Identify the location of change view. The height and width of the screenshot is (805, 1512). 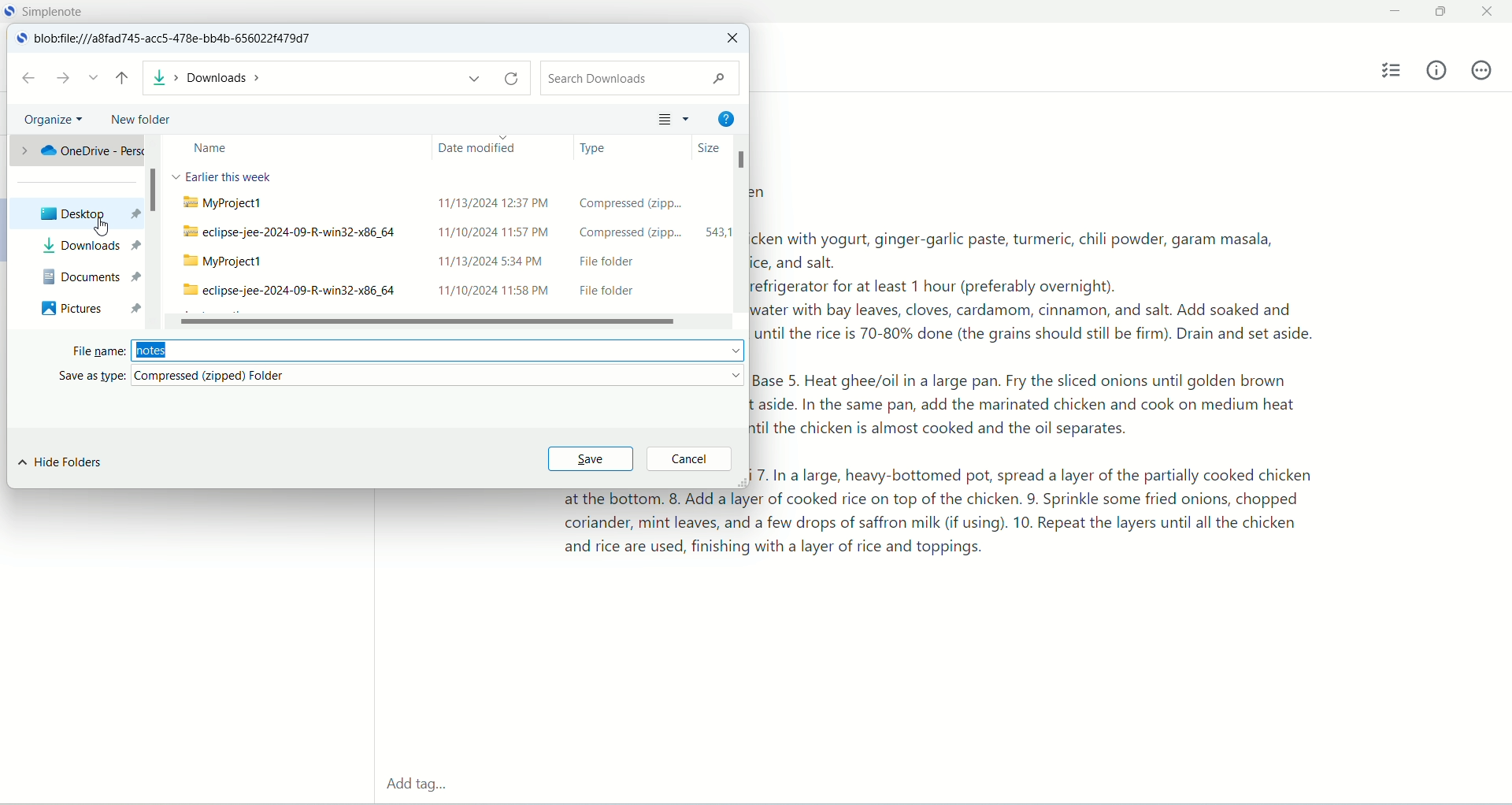
(669, 117).